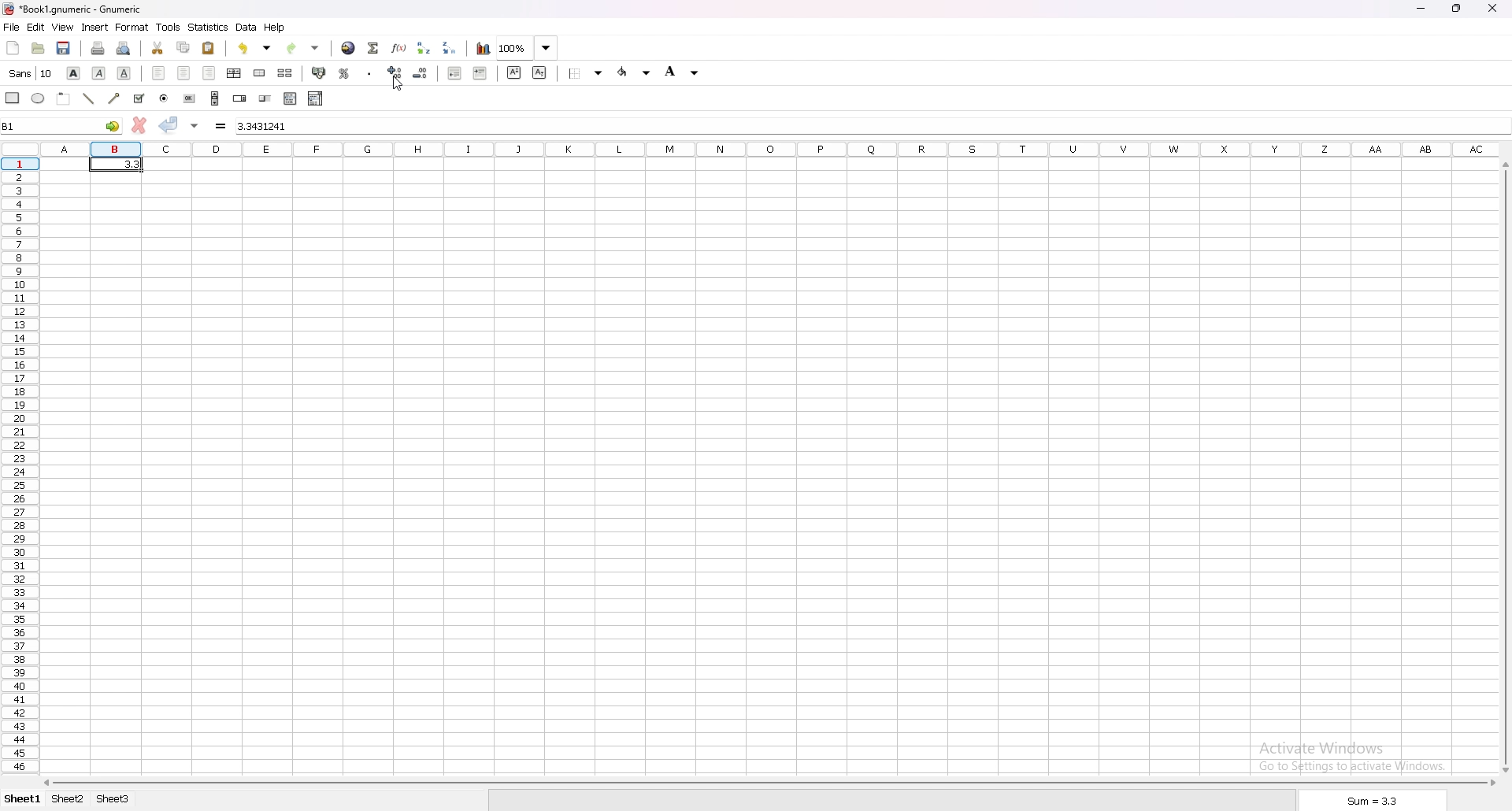 The image size is (1512, 811). What do you see at coordinates (13, 46) in the screenshot?
I see `new` at bounding box center [13, 46].